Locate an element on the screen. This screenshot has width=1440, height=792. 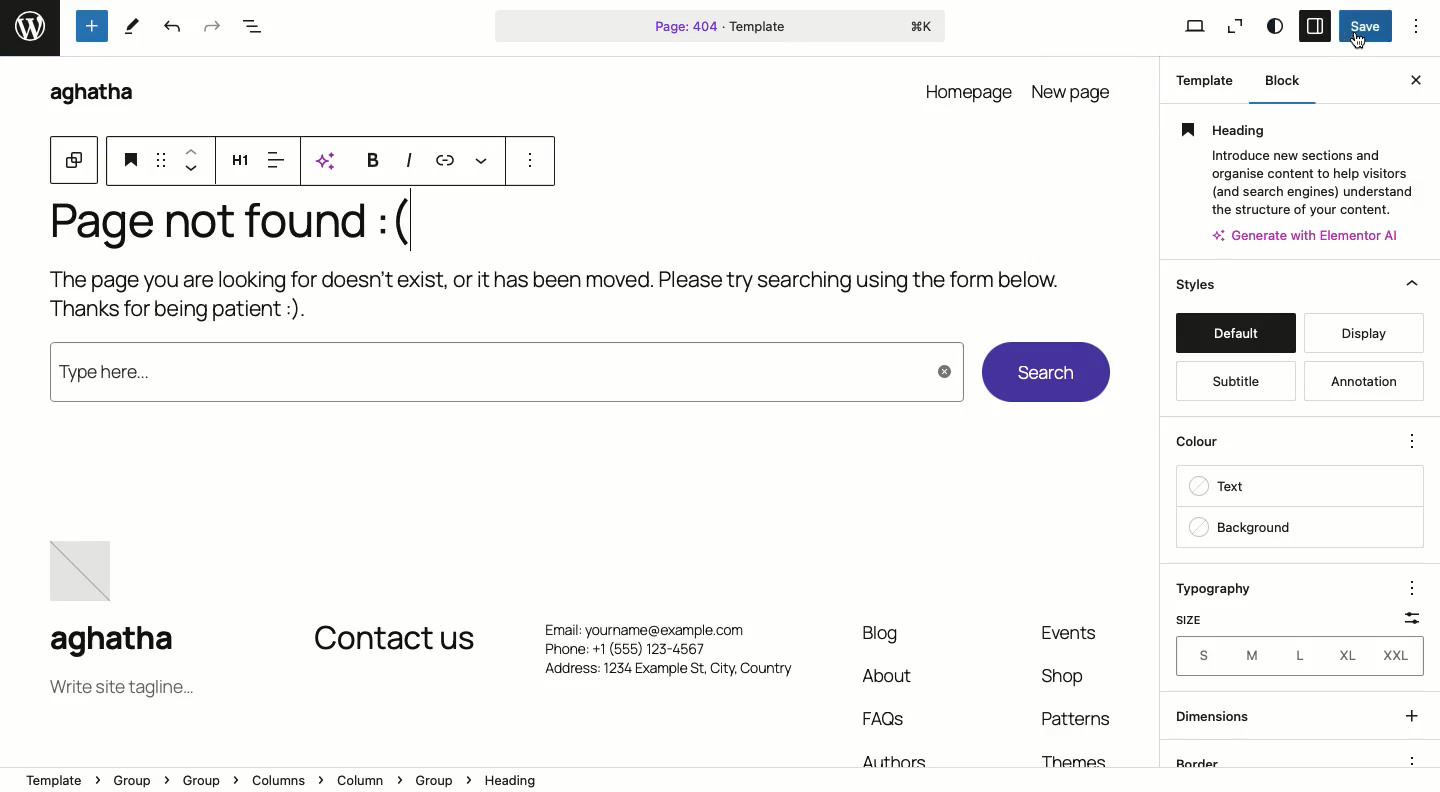
Link is located at coordinates (447, 160).